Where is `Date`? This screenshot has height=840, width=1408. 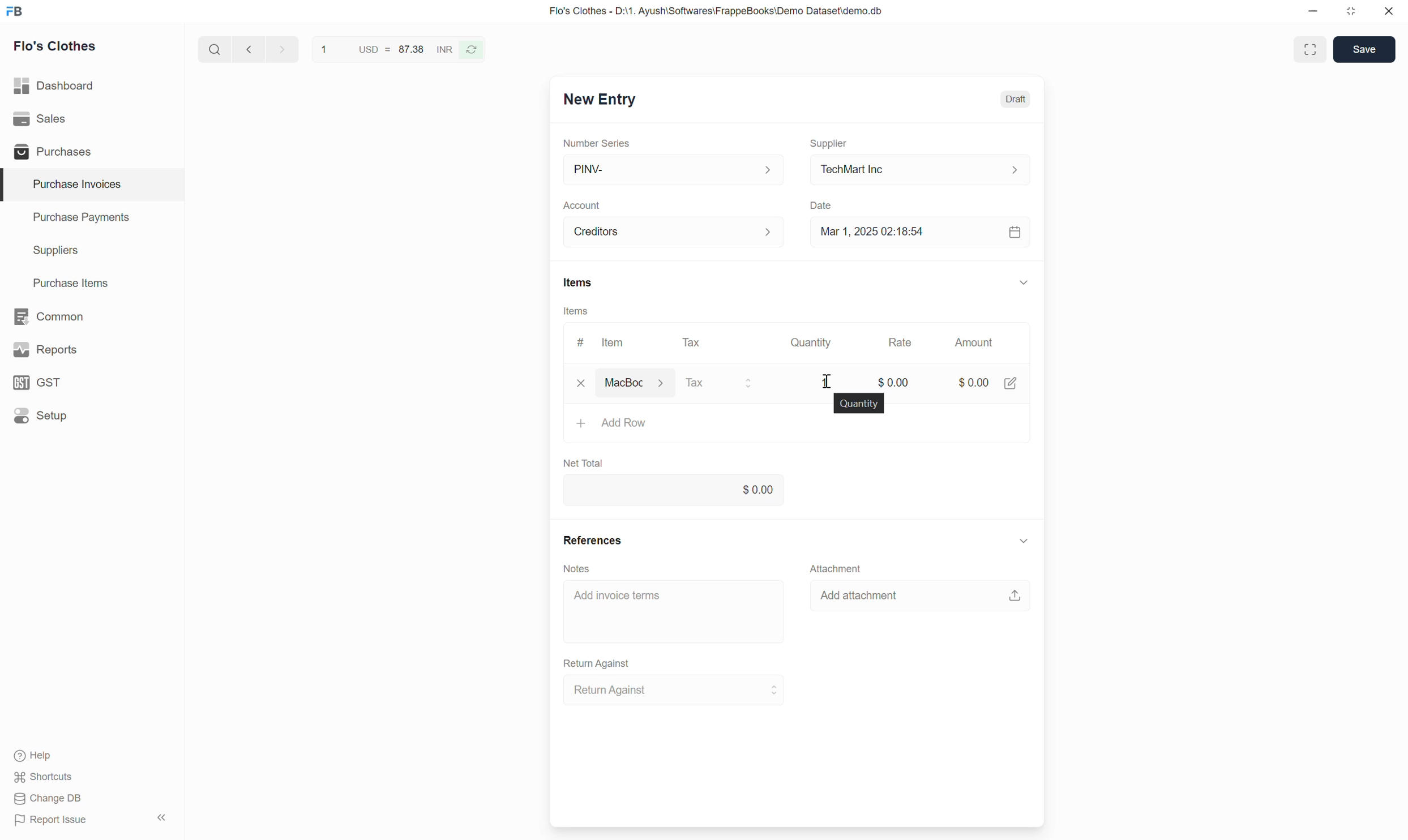 Date is located at coordinates (822, 206).